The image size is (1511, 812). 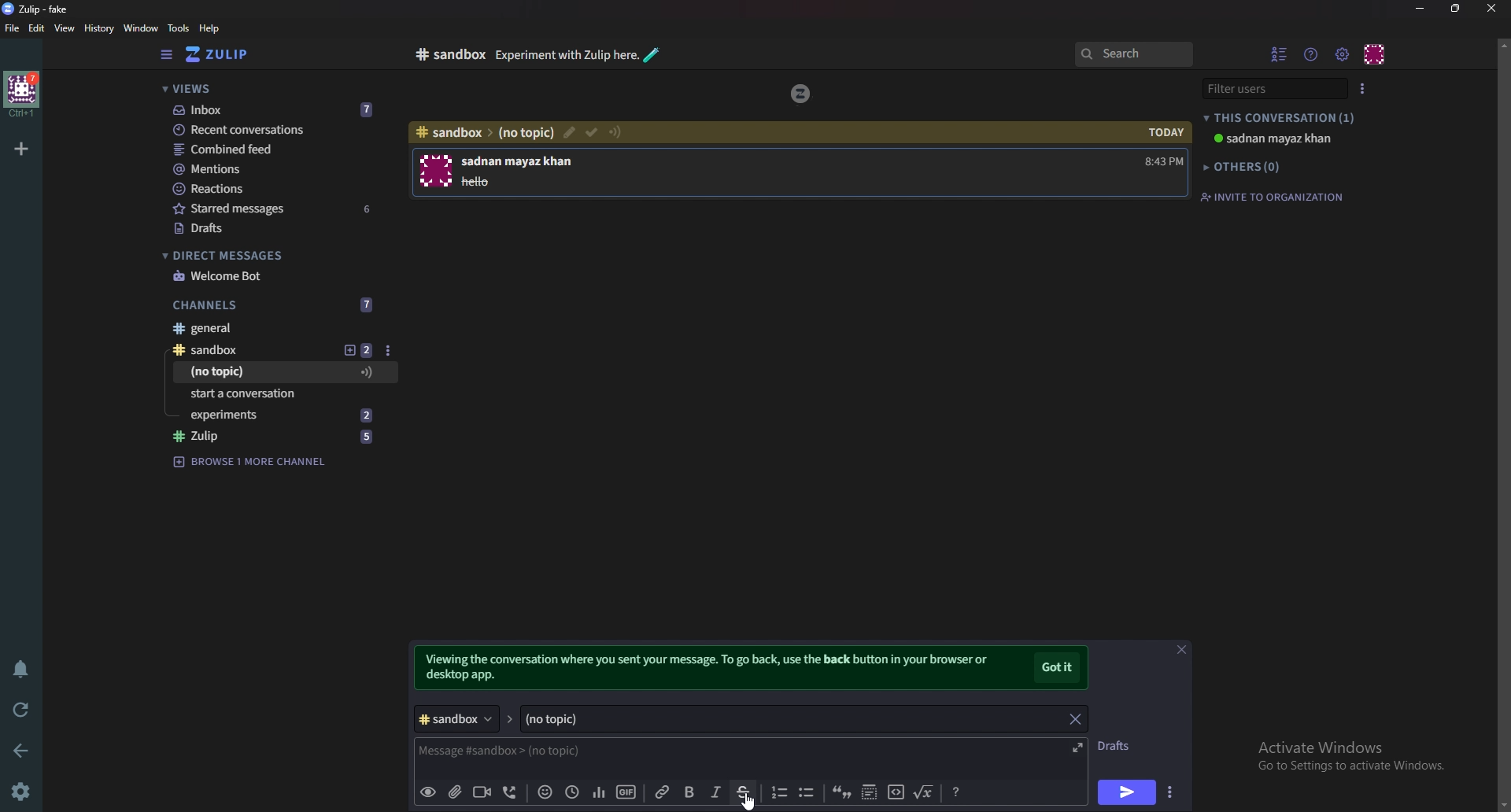 What do you see at coordinates (24, 788) in the screenshot?
I see `Settings` at bounding box center [24, 788].